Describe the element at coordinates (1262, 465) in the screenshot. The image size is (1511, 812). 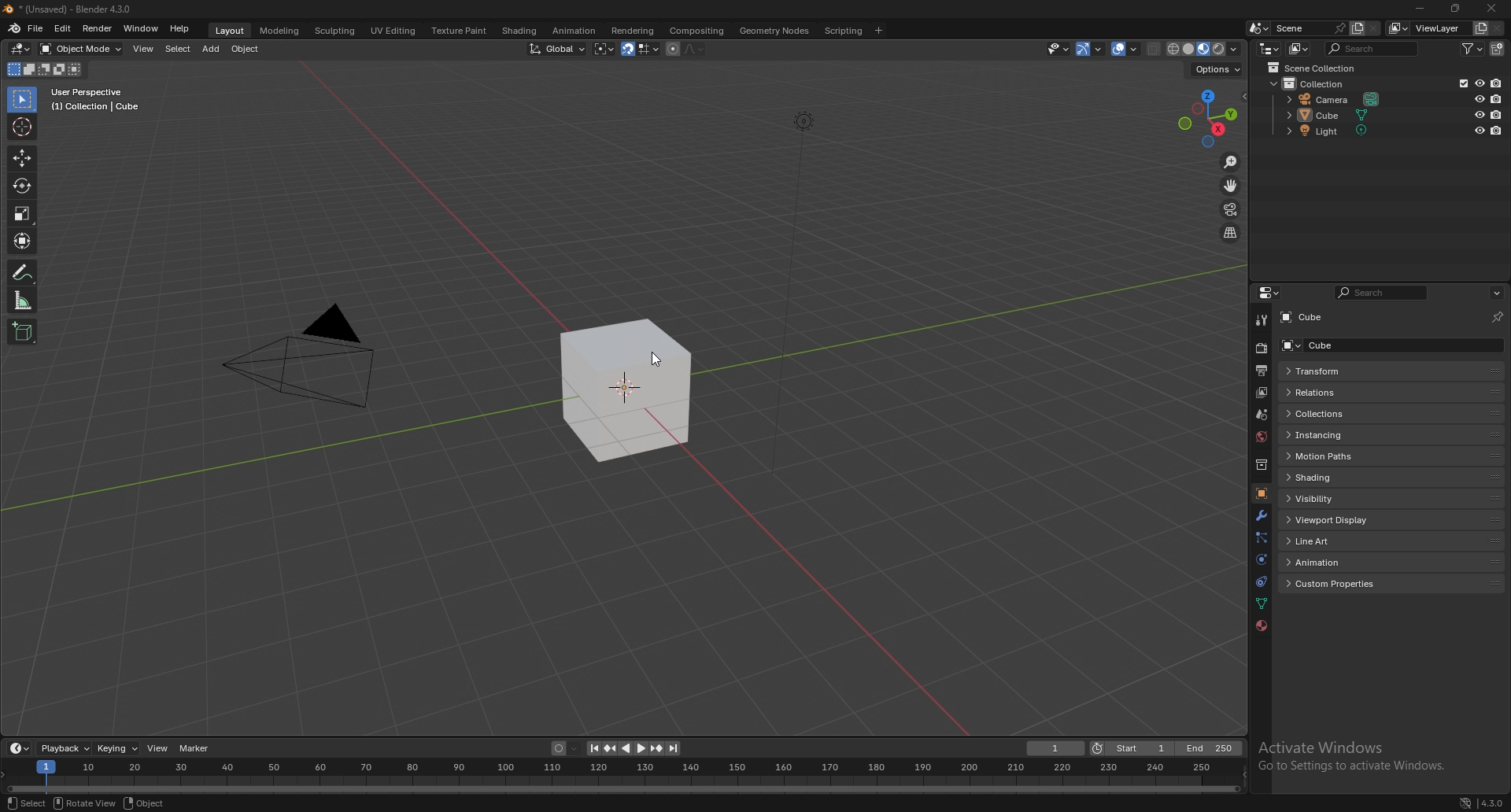
I see `collection` at that location.